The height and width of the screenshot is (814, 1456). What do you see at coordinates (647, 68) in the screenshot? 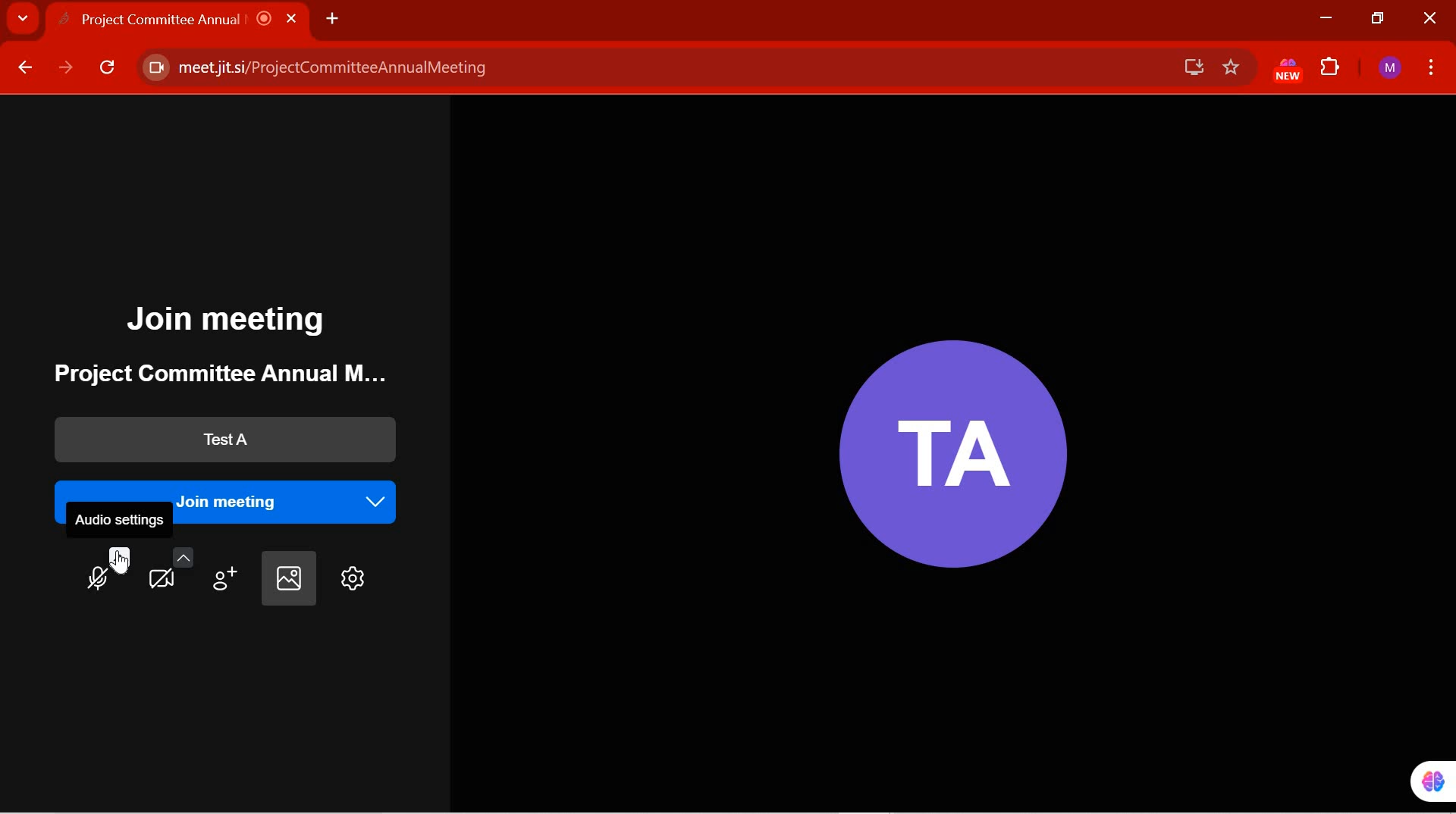
I see `meet jitsi/ProjectCommitteeAnnualMeeting` at bounding box center [647, 68].